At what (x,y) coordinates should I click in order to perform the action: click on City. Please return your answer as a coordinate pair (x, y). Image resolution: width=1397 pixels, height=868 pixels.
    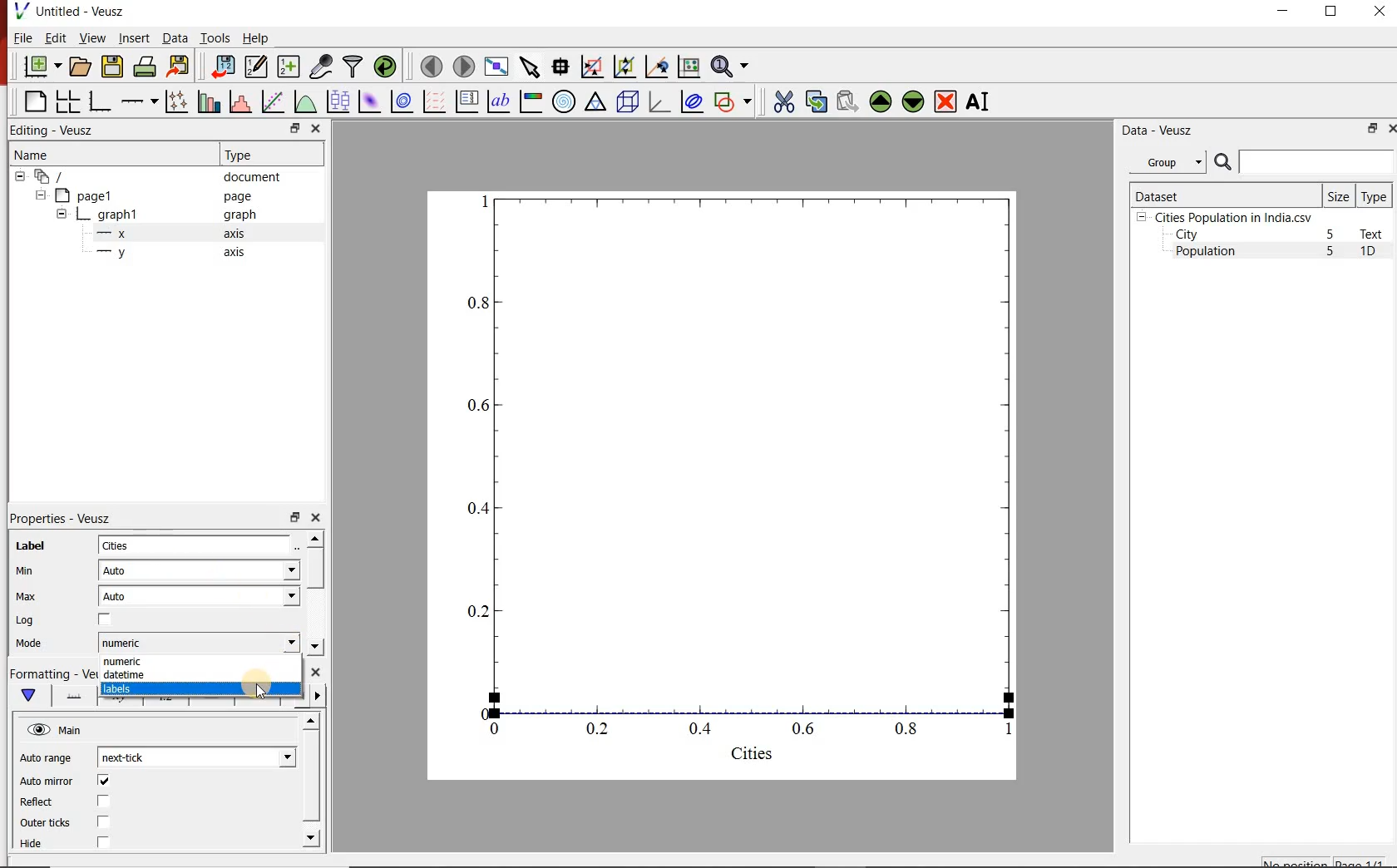
    Looking at the image, I should click on (1187, 234).